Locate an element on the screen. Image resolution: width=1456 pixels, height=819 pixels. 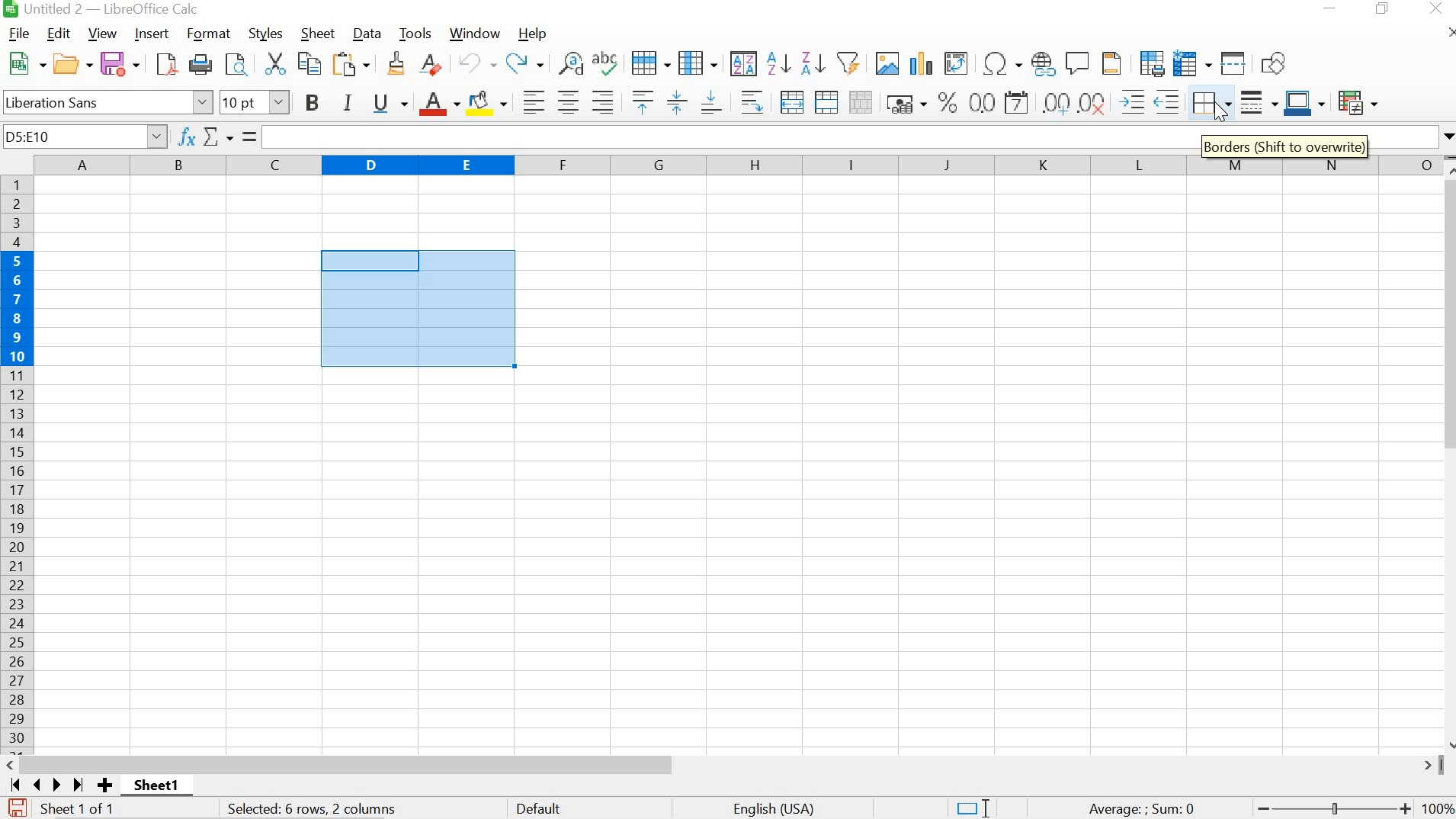
VIEW is located at coordinates (101, 34).